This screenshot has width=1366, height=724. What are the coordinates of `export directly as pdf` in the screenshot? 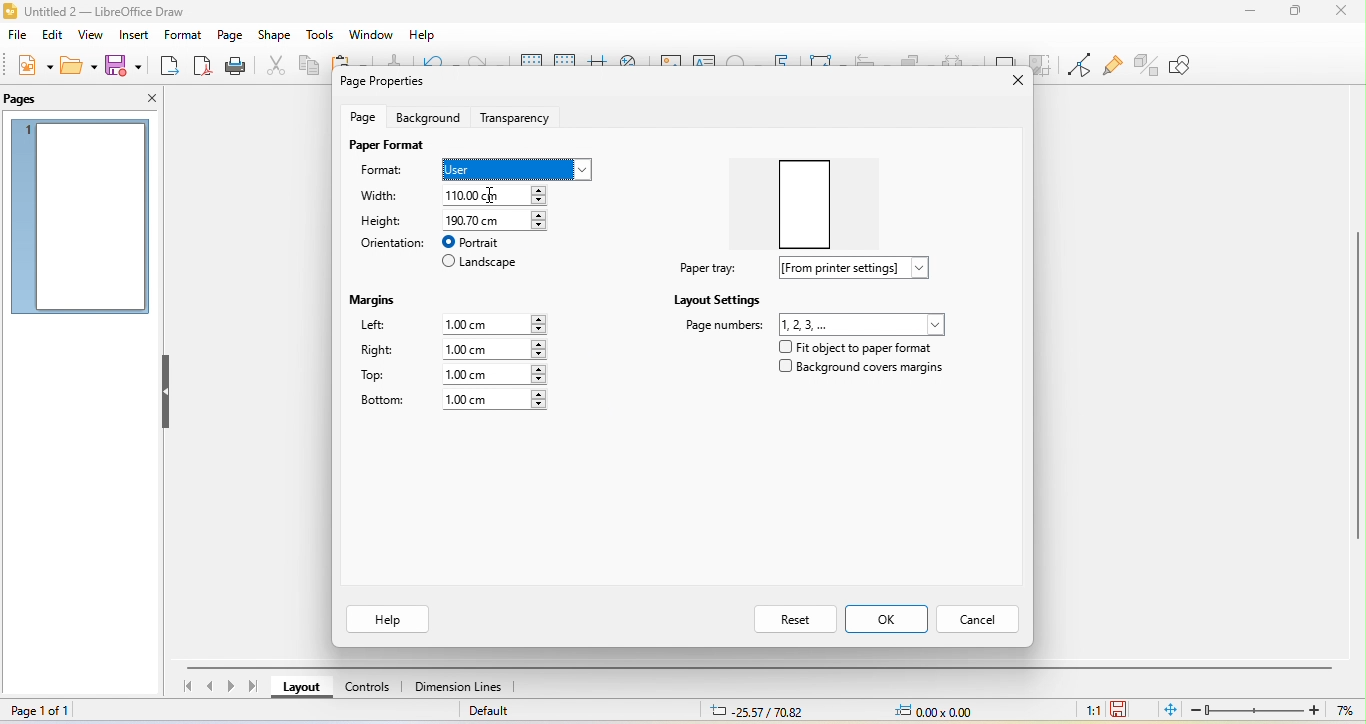 It's located at (202, 66).